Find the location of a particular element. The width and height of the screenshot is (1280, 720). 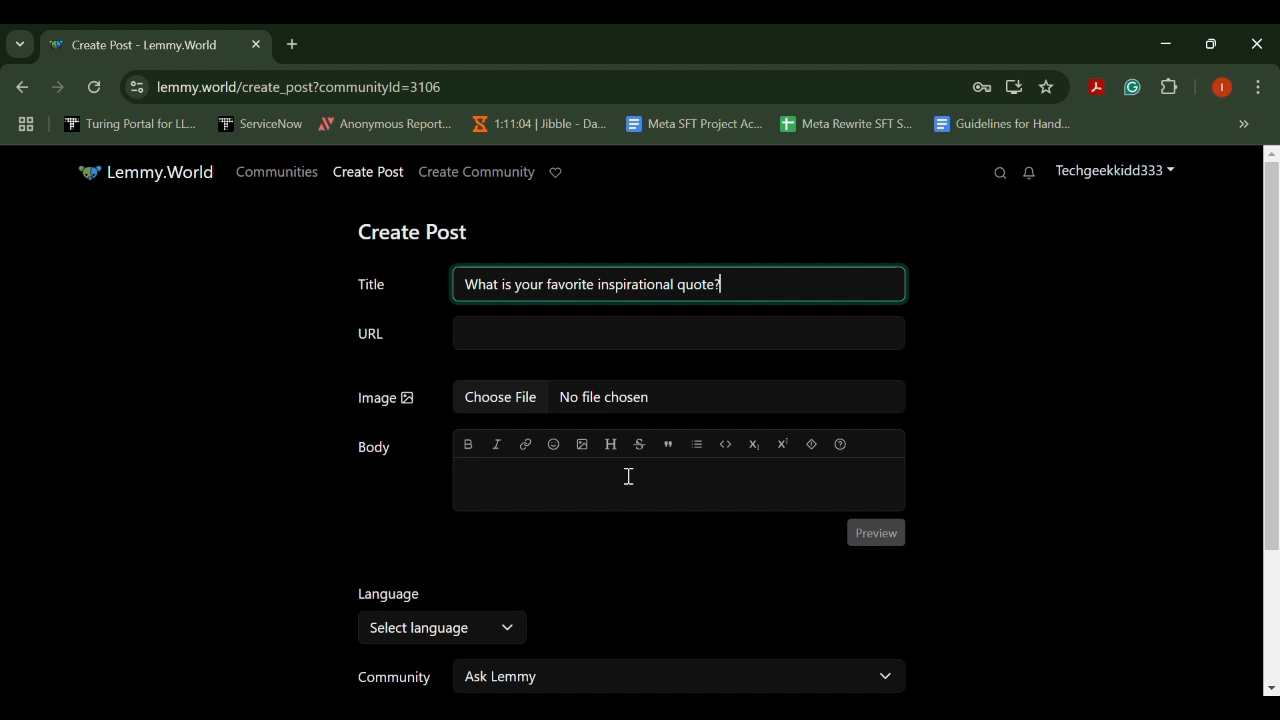

lemmy.world/create_post?communityld=3106 is located at coordinates (295, 85).